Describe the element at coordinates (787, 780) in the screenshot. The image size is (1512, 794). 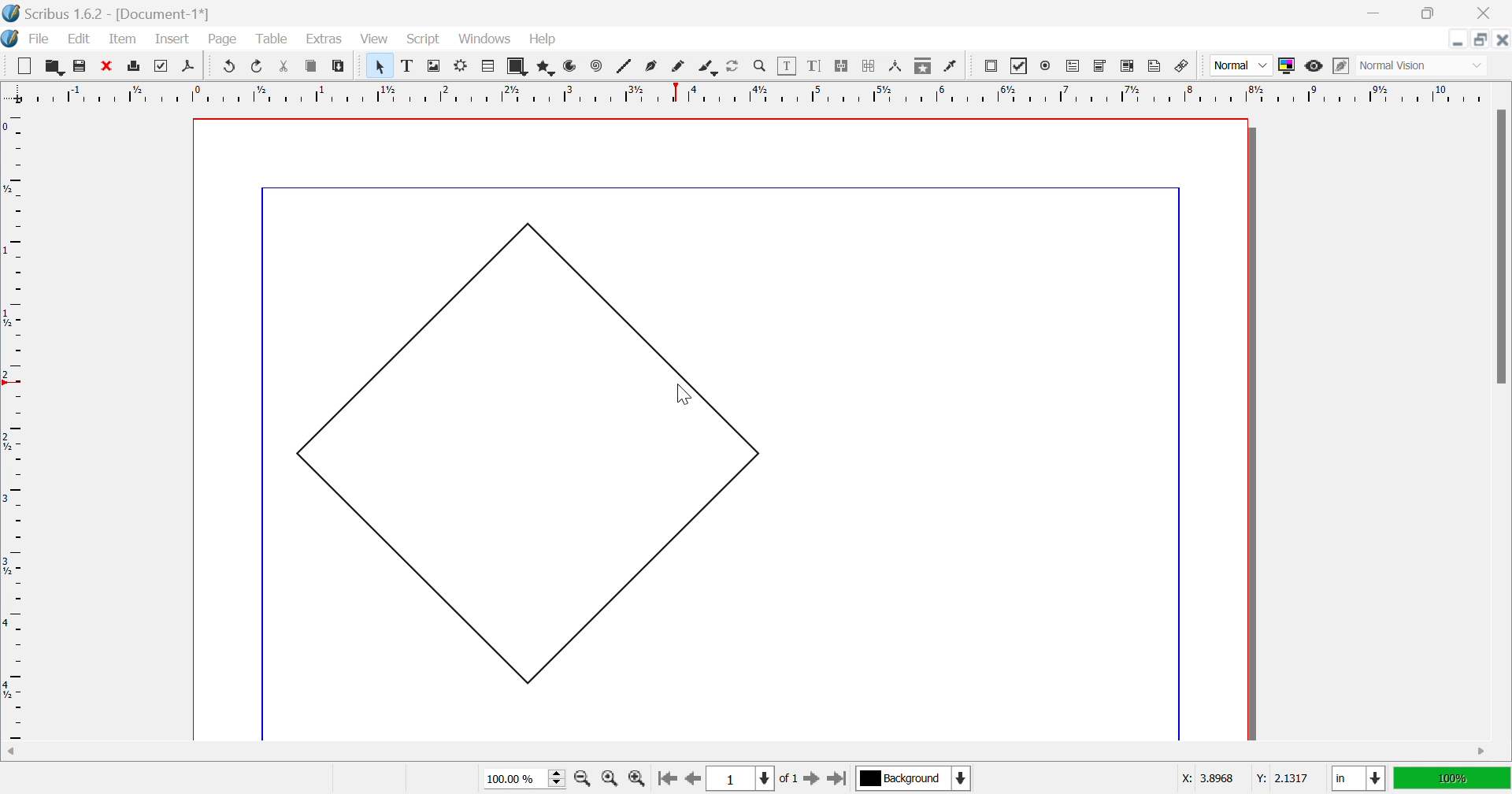
I see `of 1` at that location.